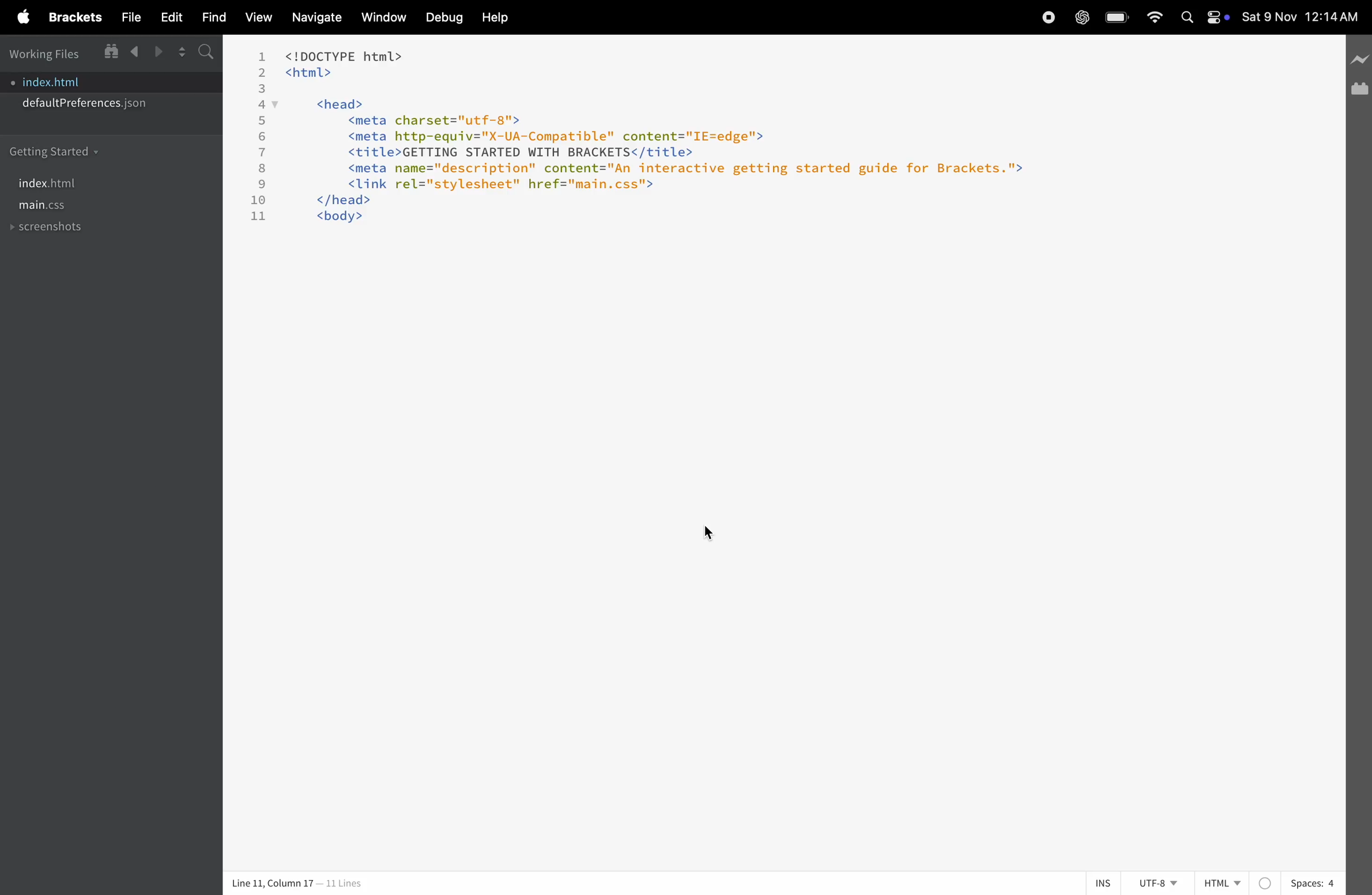 The width and height of the screenshot is (1372, 895). What do you see at coordinates (1359, 92) in the screenshot?
I see `extension` at bounding box center [1359, 92].